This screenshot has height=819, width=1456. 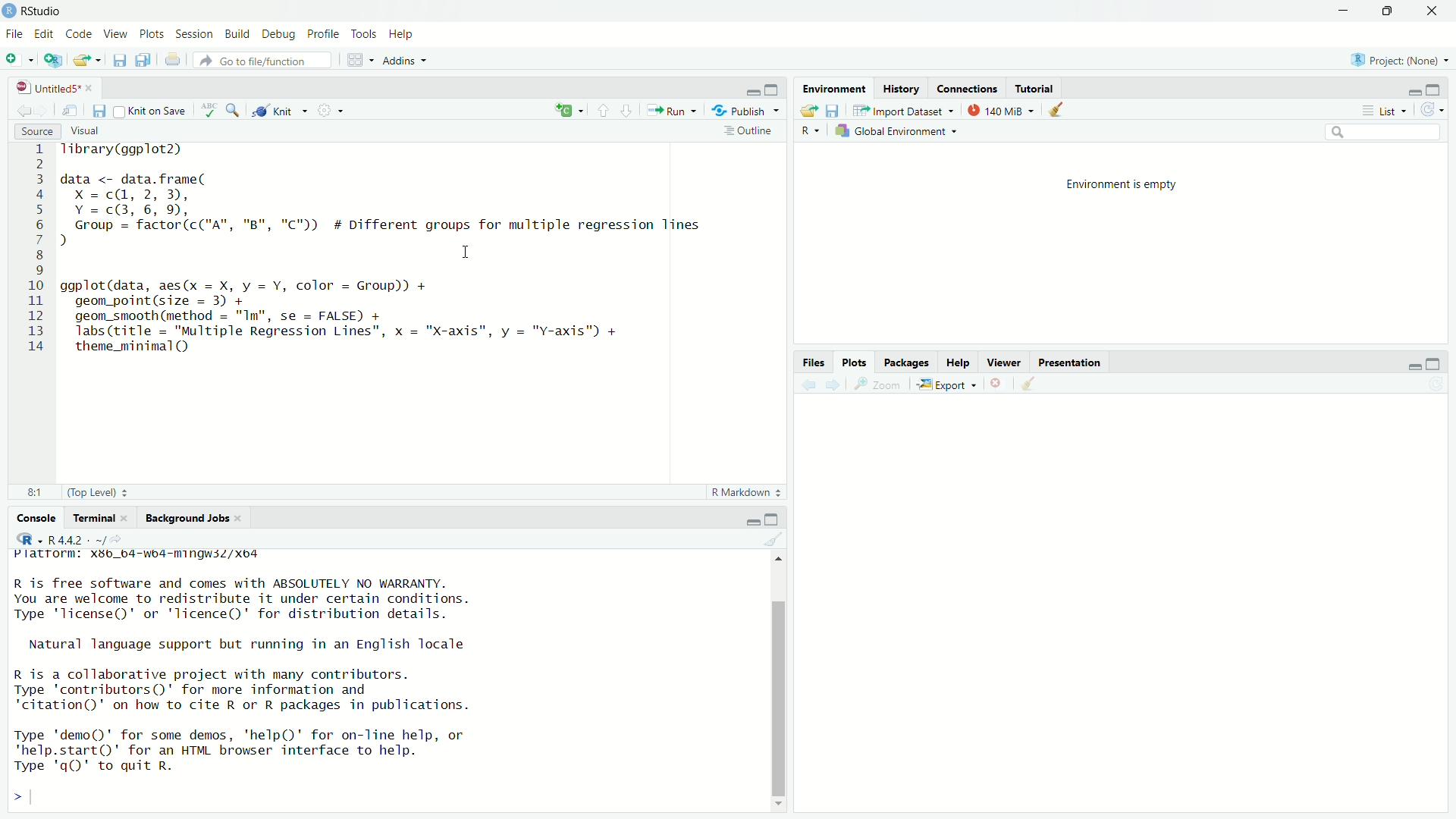 I want to click on print, so click(x=174, y=62).